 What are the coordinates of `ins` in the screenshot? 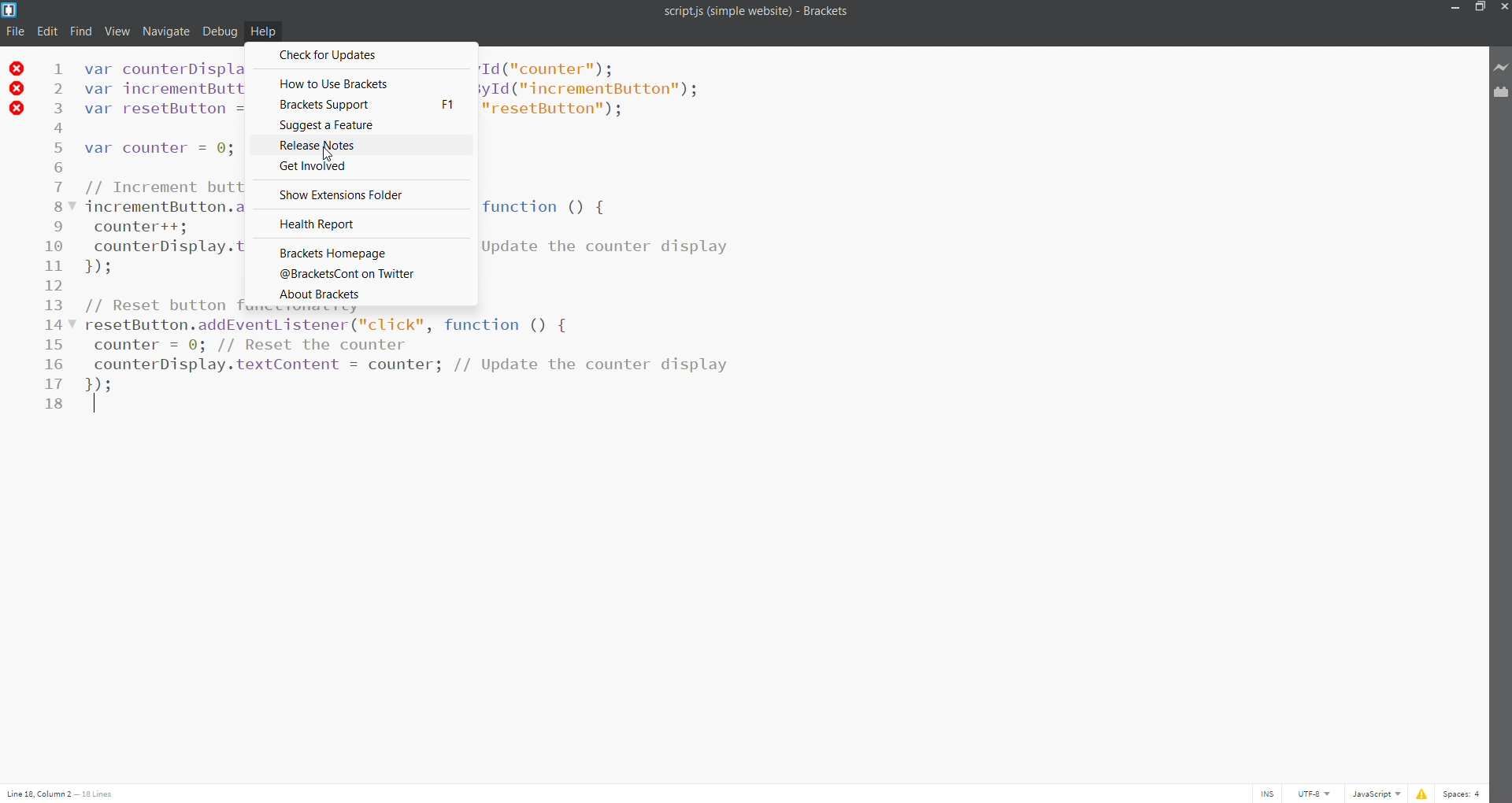 It's located at (1266, 791).